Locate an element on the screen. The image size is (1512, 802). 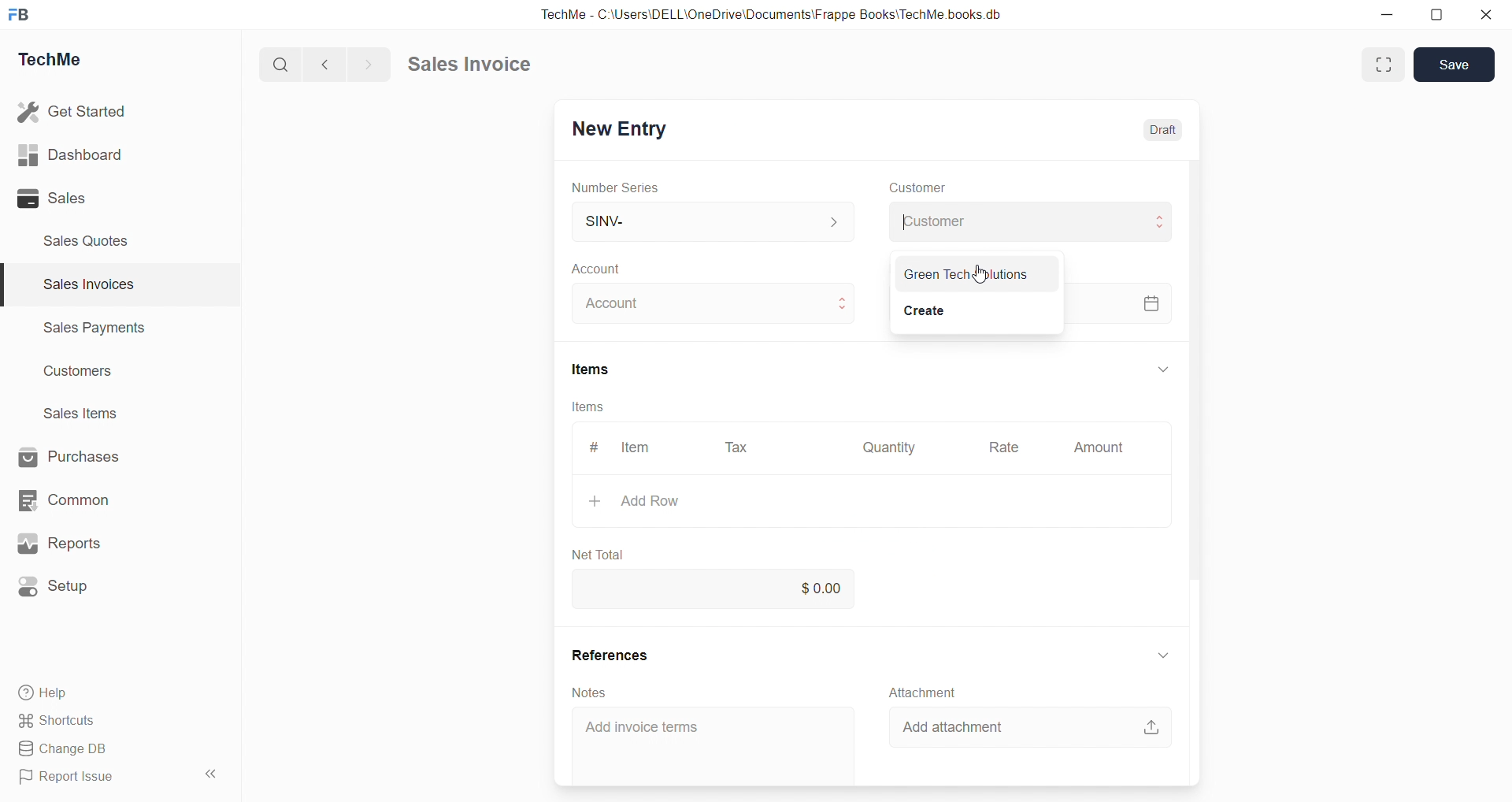
Number Series is located at coordinates (616, 188).